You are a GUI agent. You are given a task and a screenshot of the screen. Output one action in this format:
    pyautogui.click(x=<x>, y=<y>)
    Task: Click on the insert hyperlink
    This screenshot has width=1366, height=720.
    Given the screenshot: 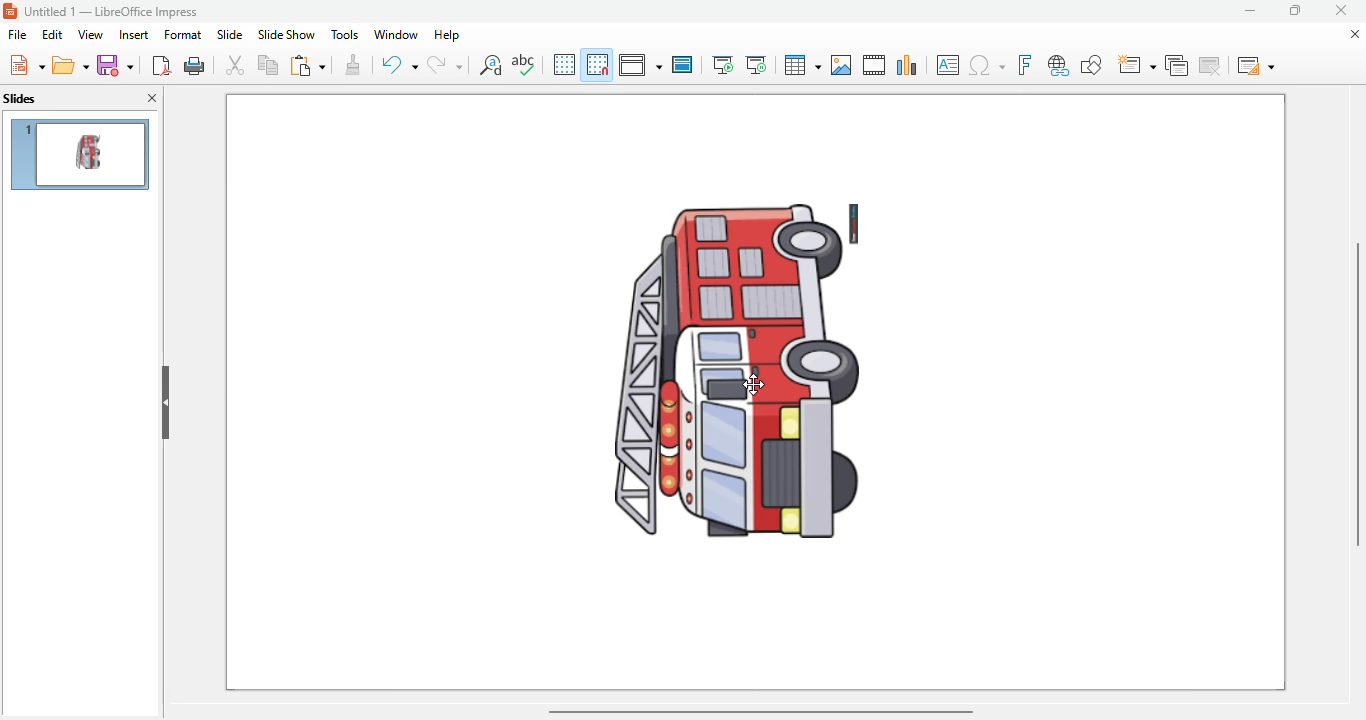 What is the action you would take?
    pyautogui.click(x=1059, y=65)
    